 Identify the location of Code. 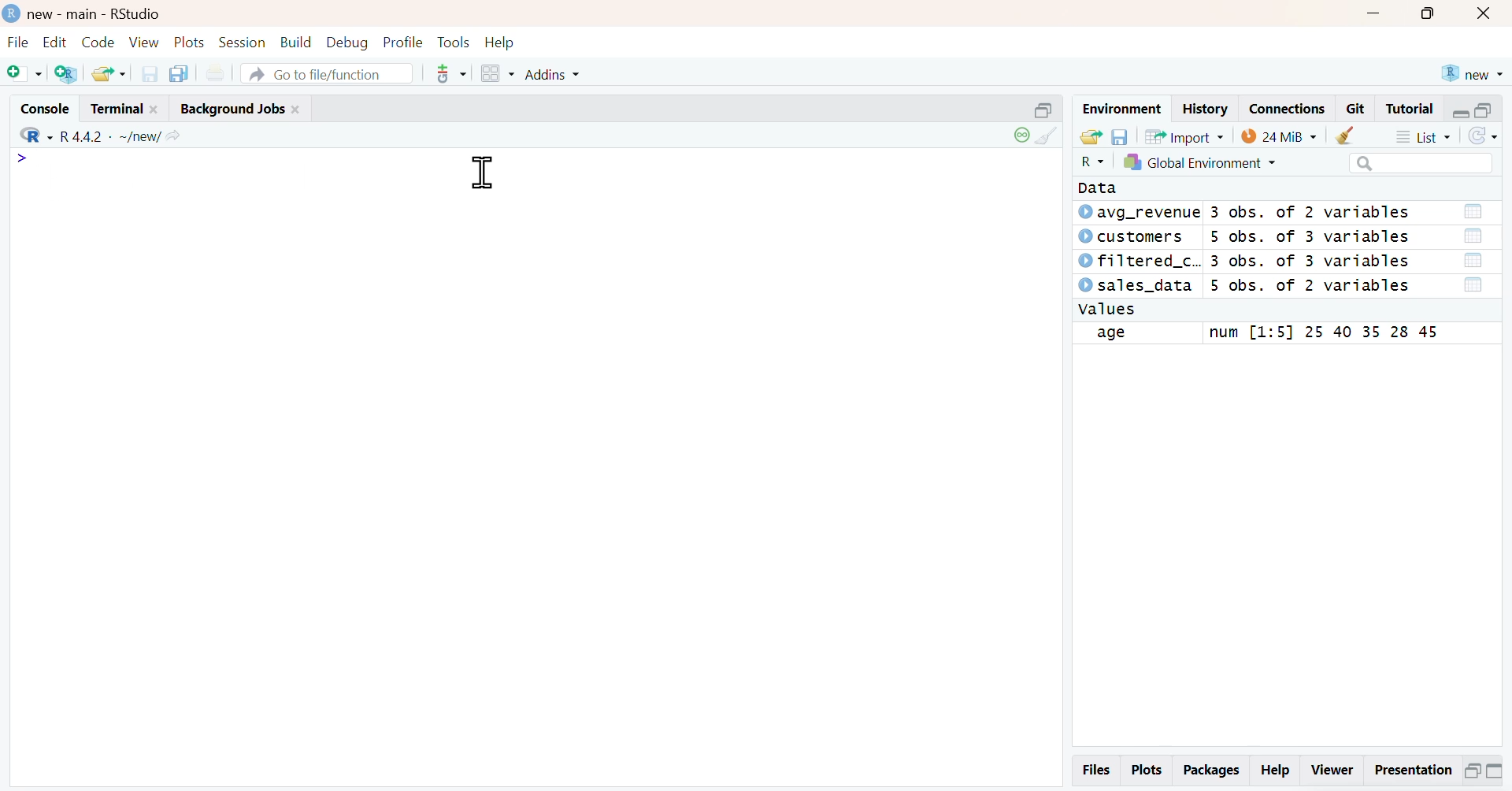
(98, 43).